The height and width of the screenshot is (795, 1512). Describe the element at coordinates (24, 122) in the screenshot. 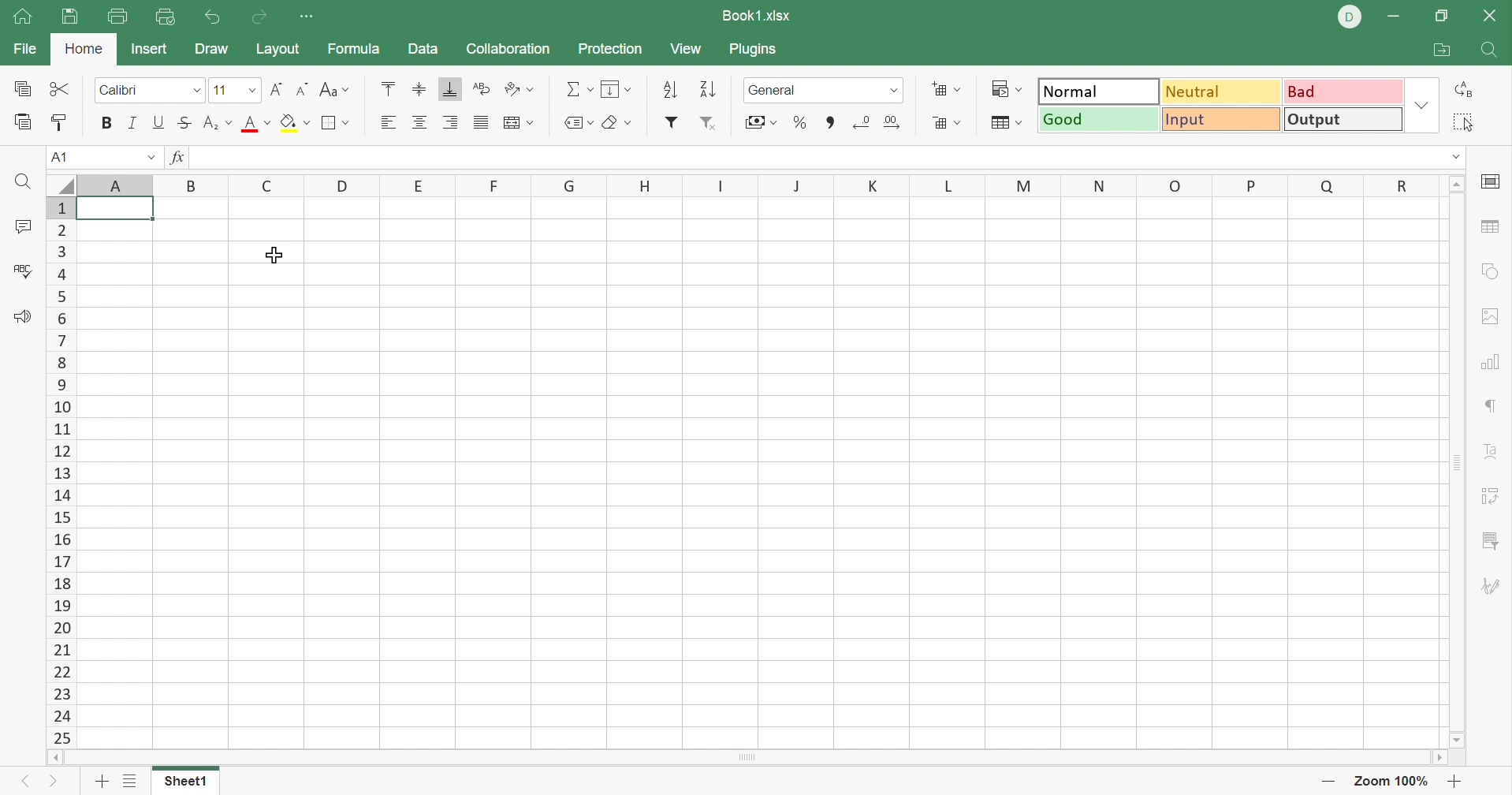

I see `Paste` at that location.